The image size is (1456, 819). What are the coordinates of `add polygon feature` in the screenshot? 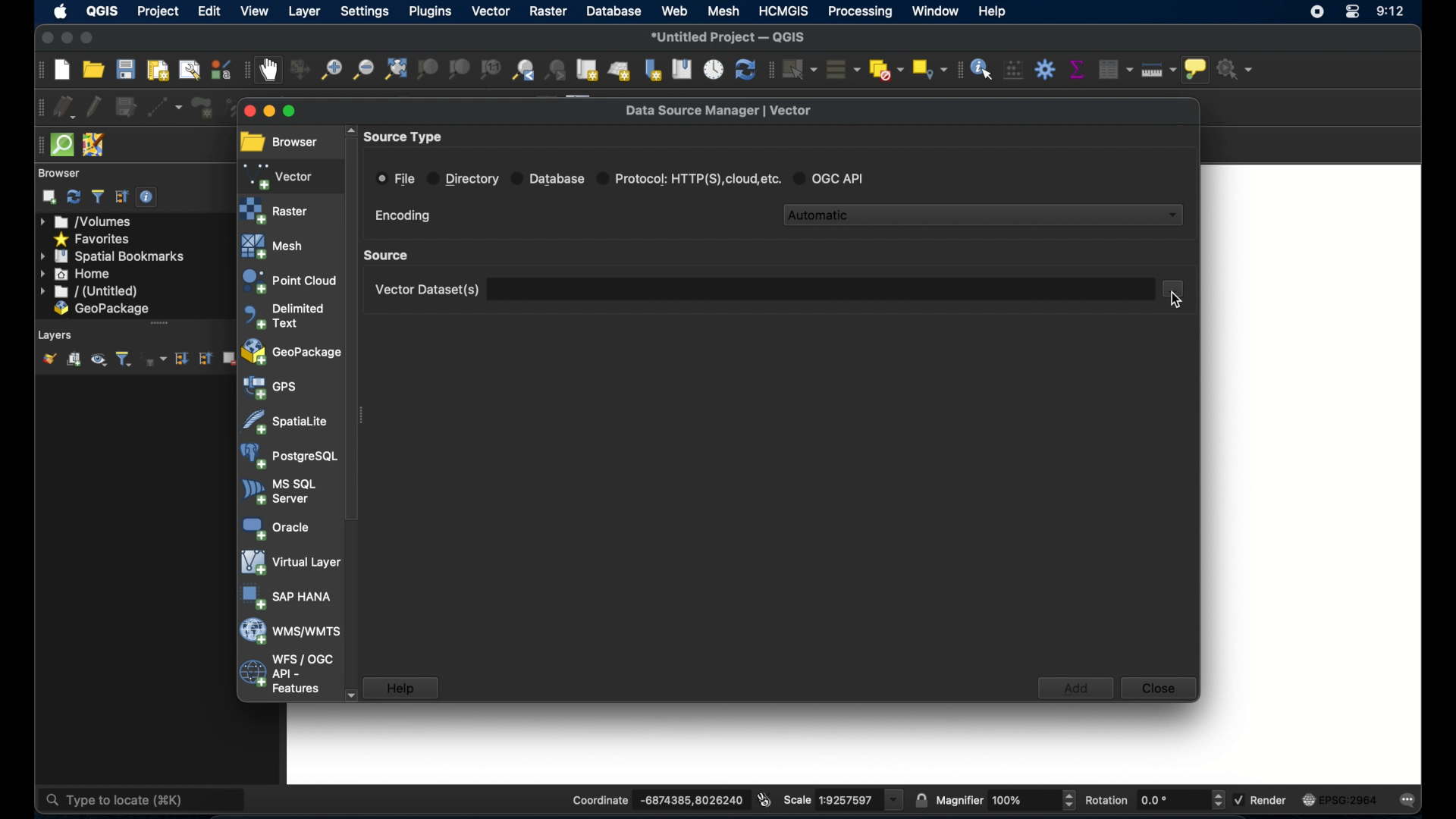 It's located at (199, 105).